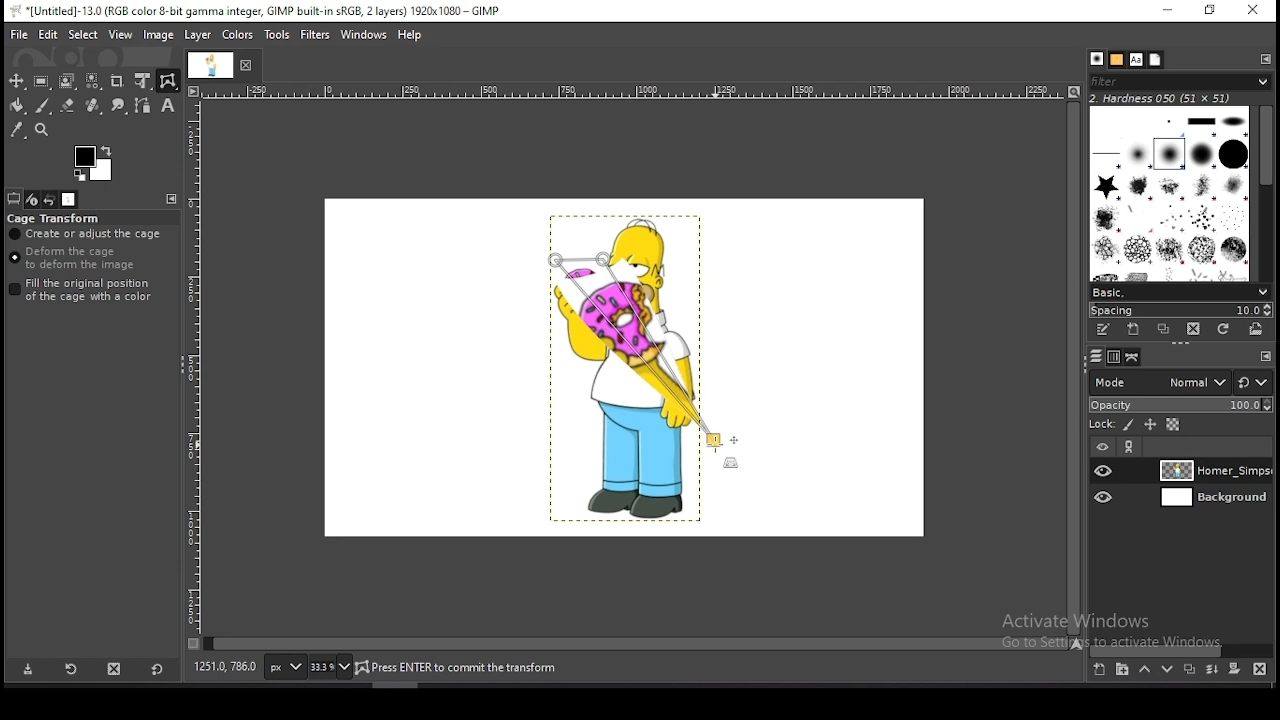 This screenshot has width=1280, height=720. I want to click on duplicate brush, so click(1168, 331).